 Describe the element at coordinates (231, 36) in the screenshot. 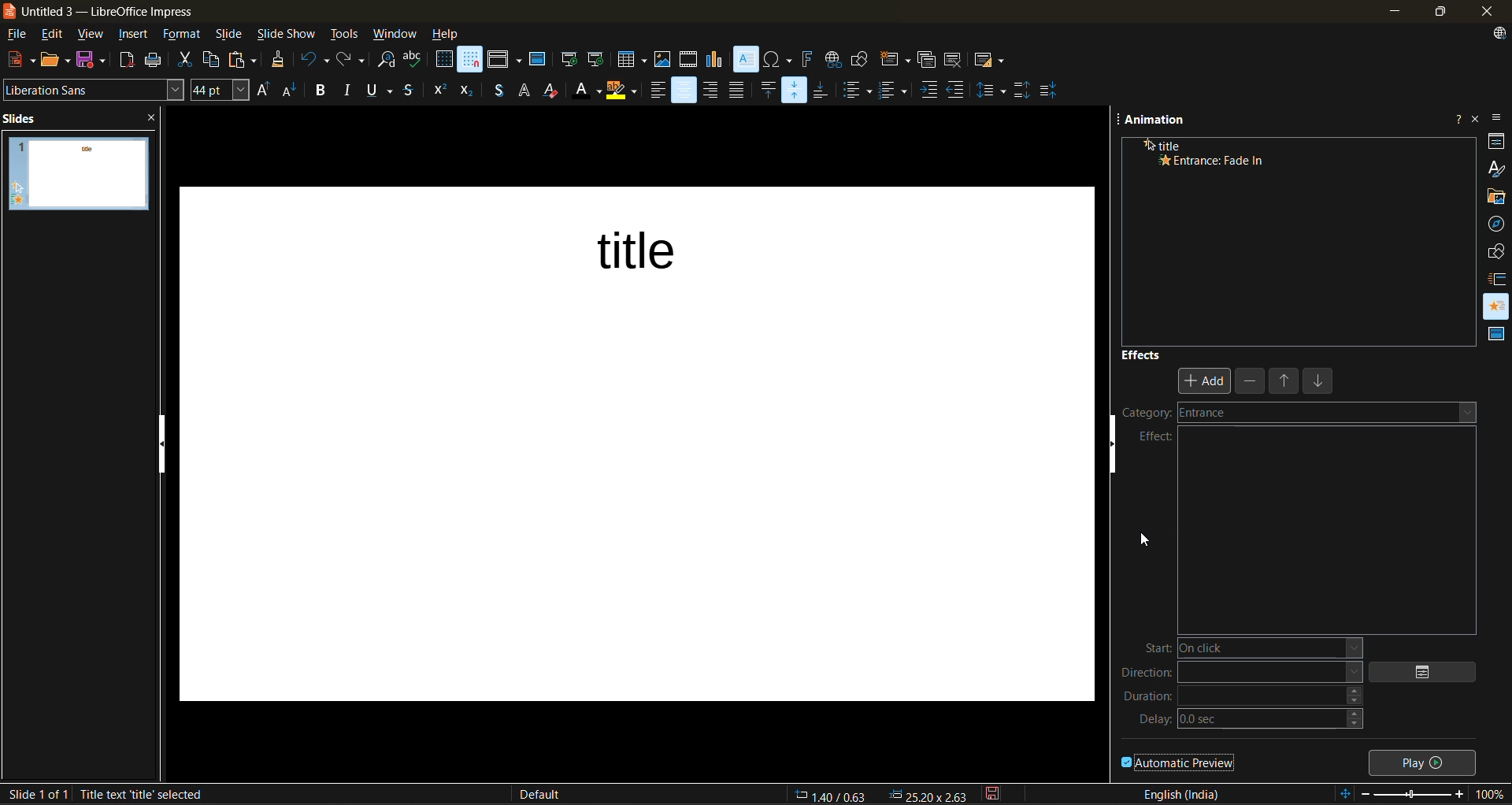

I see `slide` at that location.